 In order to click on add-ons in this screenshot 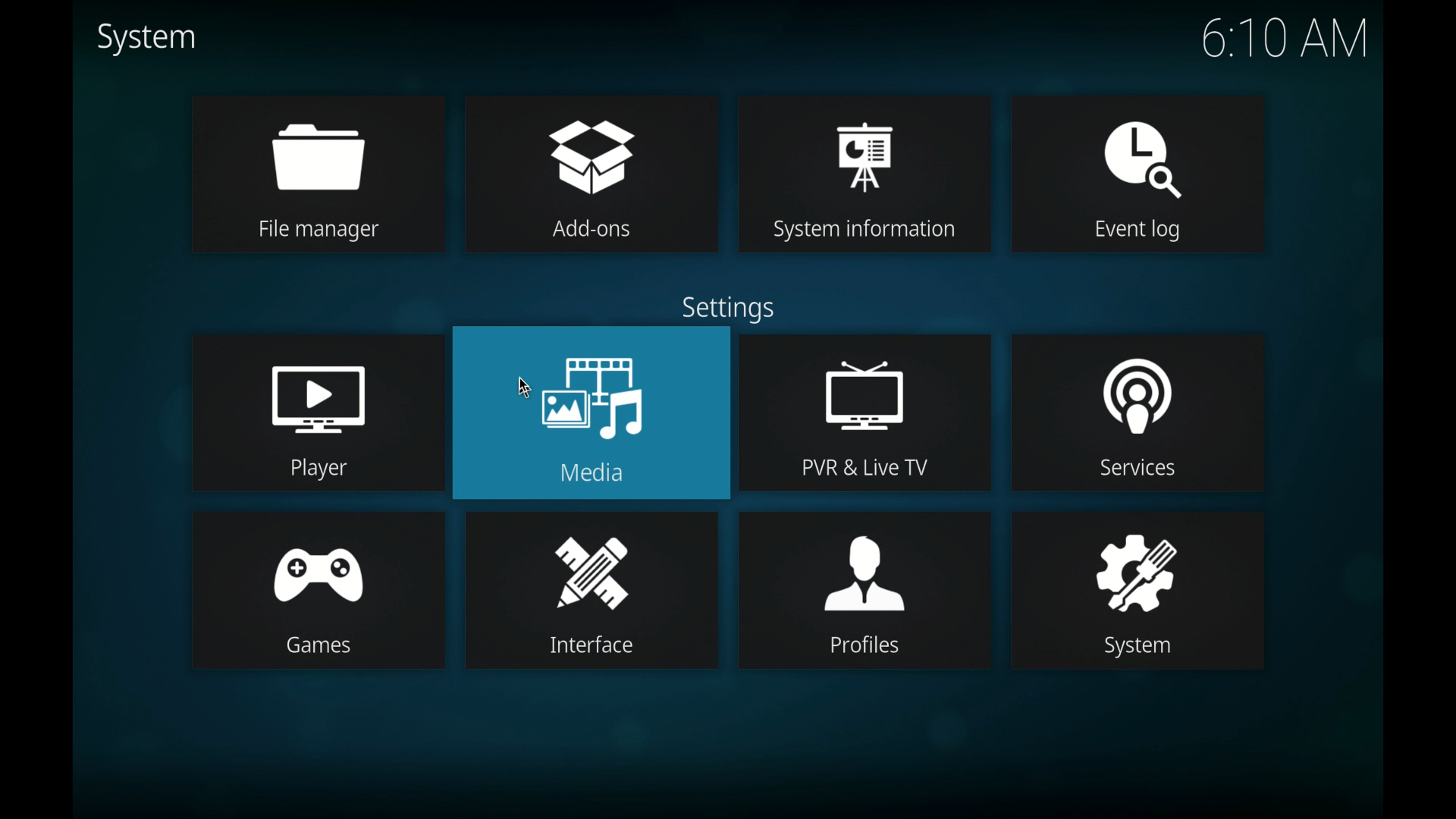, I will do `click(592, 171)`.